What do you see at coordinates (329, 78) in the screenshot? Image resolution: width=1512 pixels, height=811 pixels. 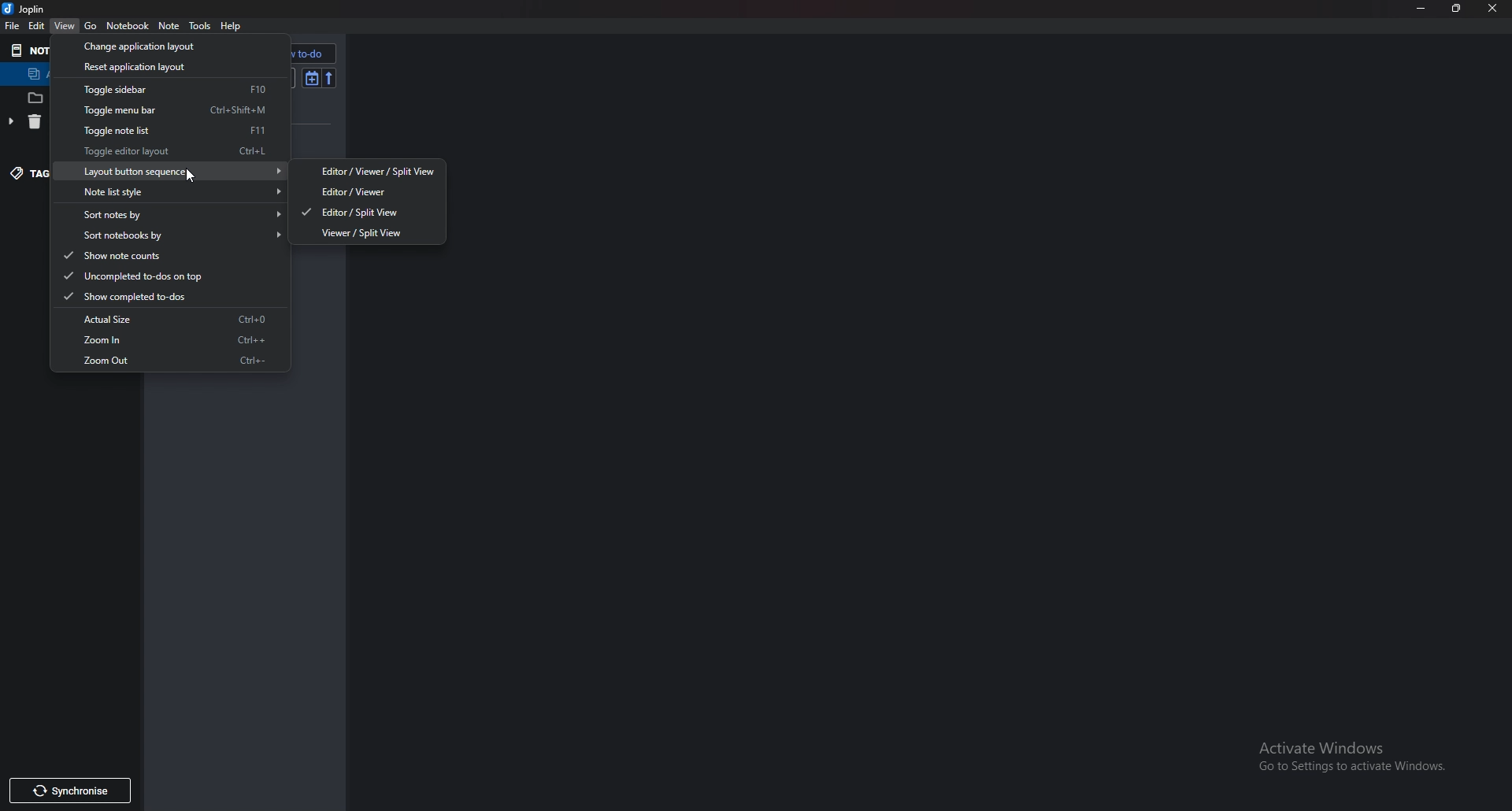 I see `reverse sort order` at bounding box center [329, 78].